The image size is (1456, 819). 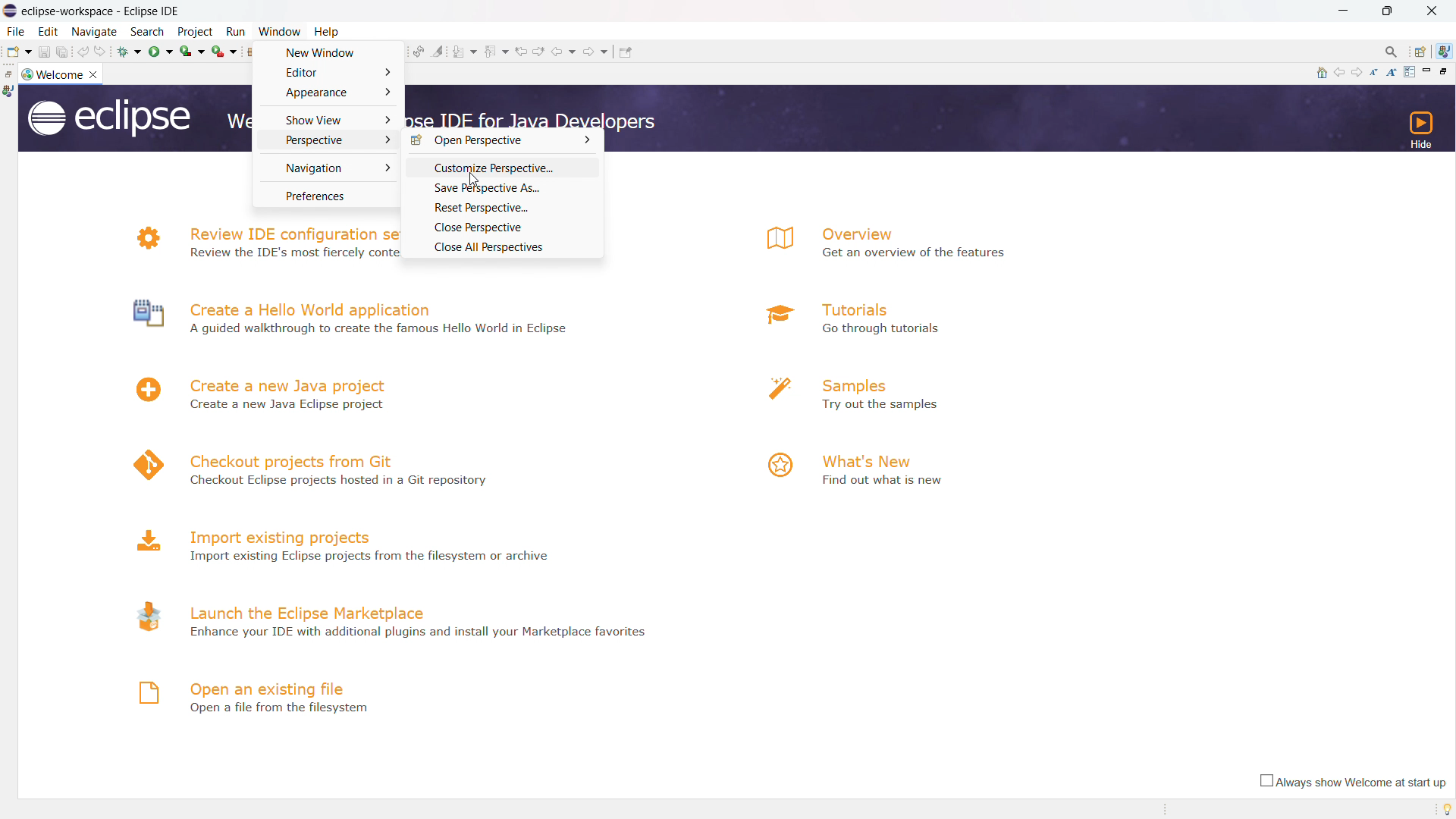 I want to click on A guided walkthrough to create the famous Hello World in Eclipse, so click(x=381, y=328).